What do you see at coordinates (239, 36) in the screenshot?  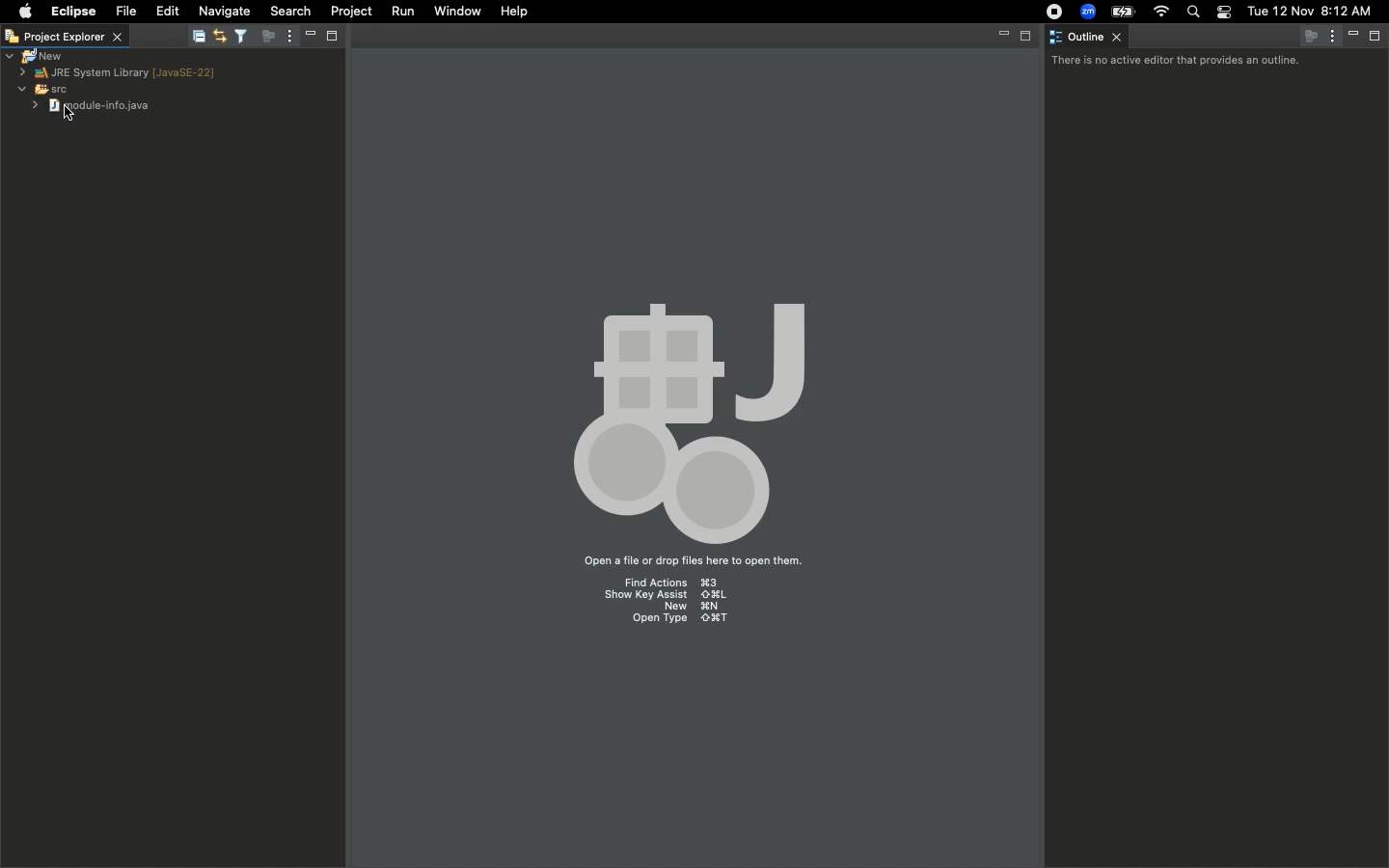 I see `Filter` at bounding box center [239, 36].